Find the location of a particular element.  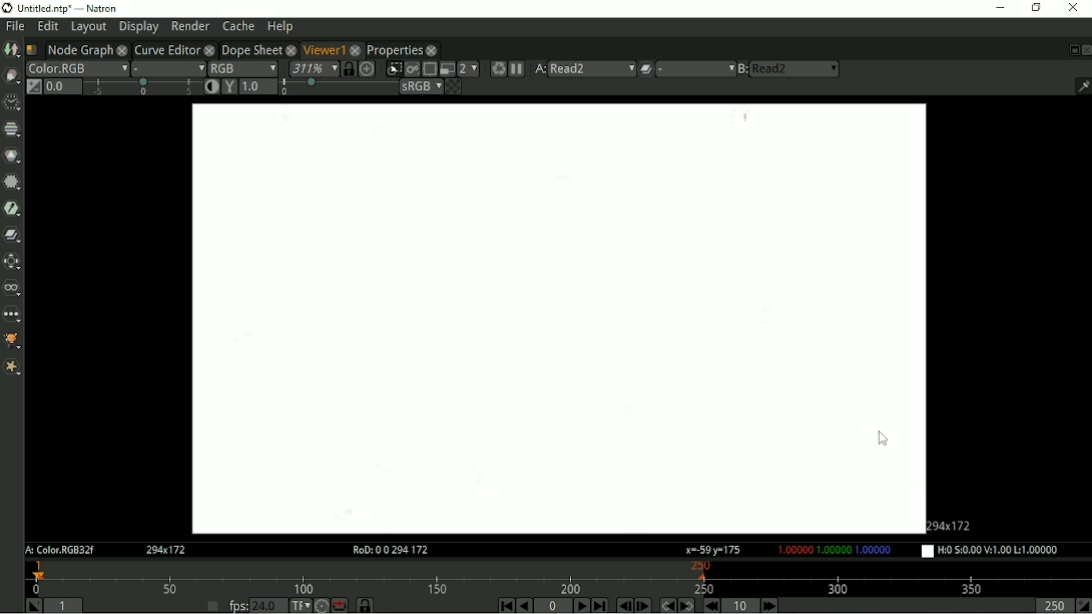

Set time display format is located at coordinates (299, 605).